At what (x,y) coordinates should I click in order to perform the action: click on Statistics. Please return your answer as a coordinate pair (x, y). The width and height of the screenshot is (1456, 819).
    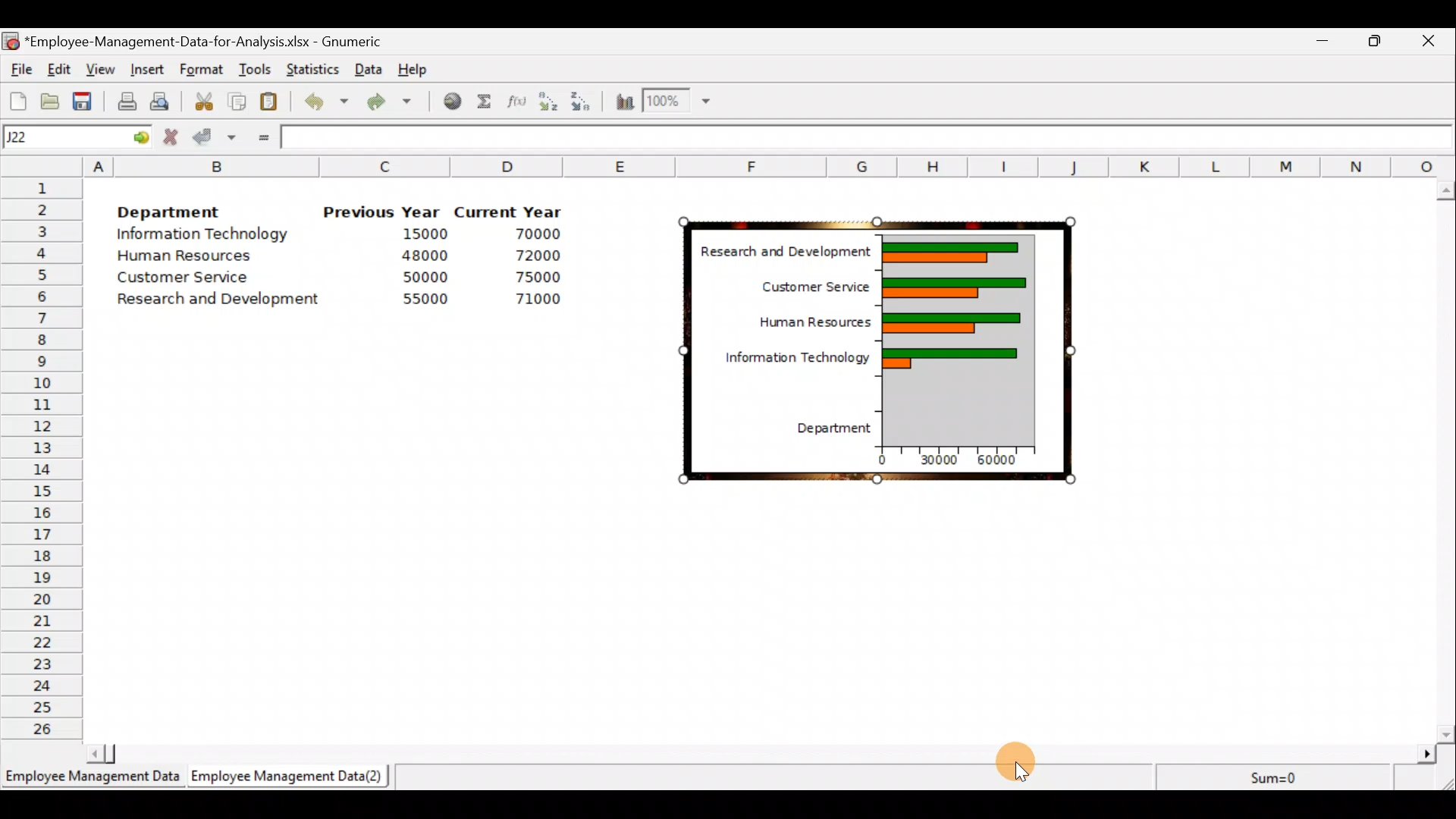
    Looking at the image, I should click on (314, 65).